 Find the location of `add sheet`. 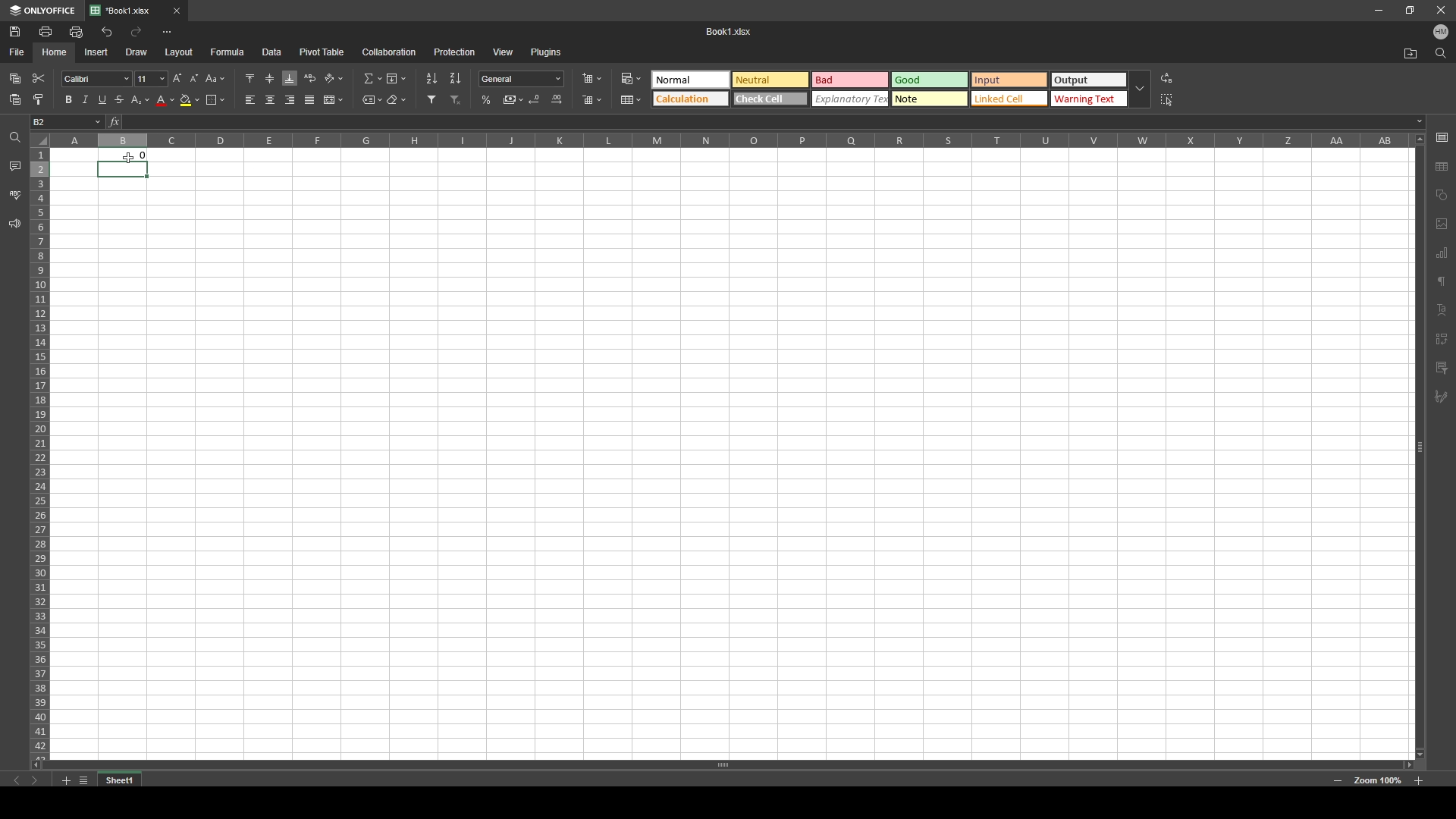

add sheet is located at coordinates (65, 780).